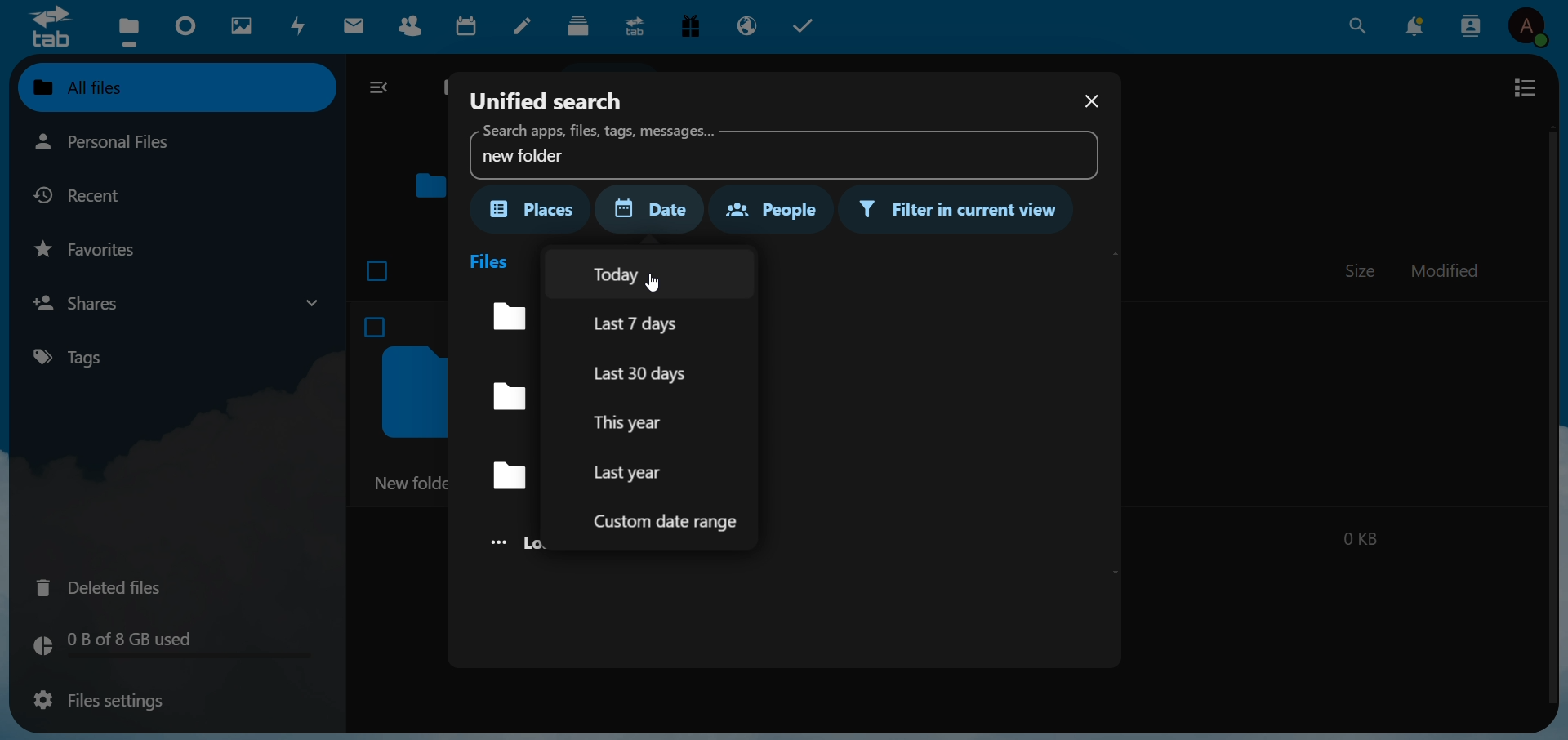 The height and width of the screenshot is (740, 1568). I want to click on notification, so click(1418, 25).